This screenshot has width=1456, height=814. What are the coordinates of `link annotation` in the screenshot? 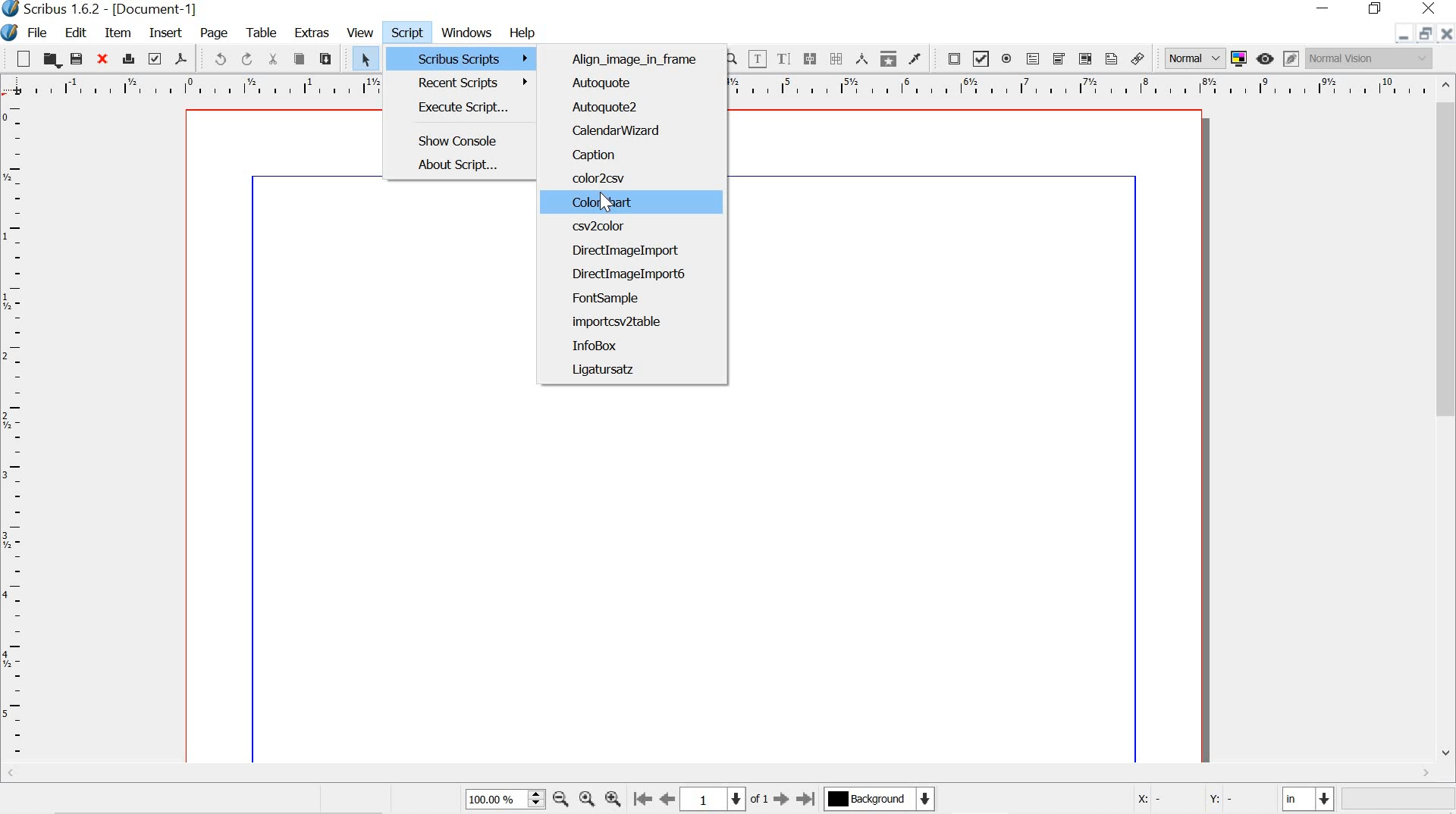 It's located at (1140, 59).